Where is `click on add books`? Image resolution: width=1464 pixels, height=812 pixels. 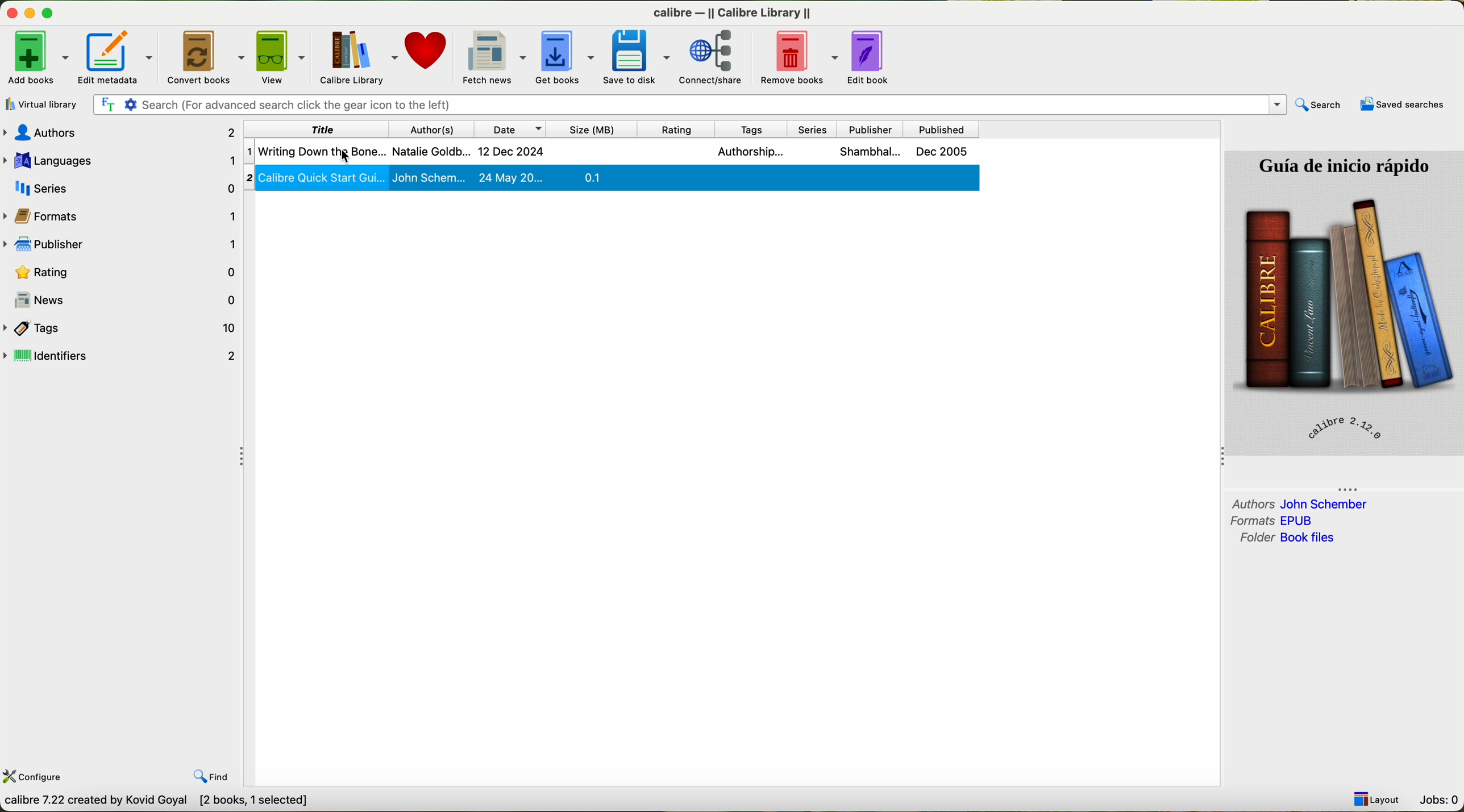
click on add books is located at coordinates (38, 56).